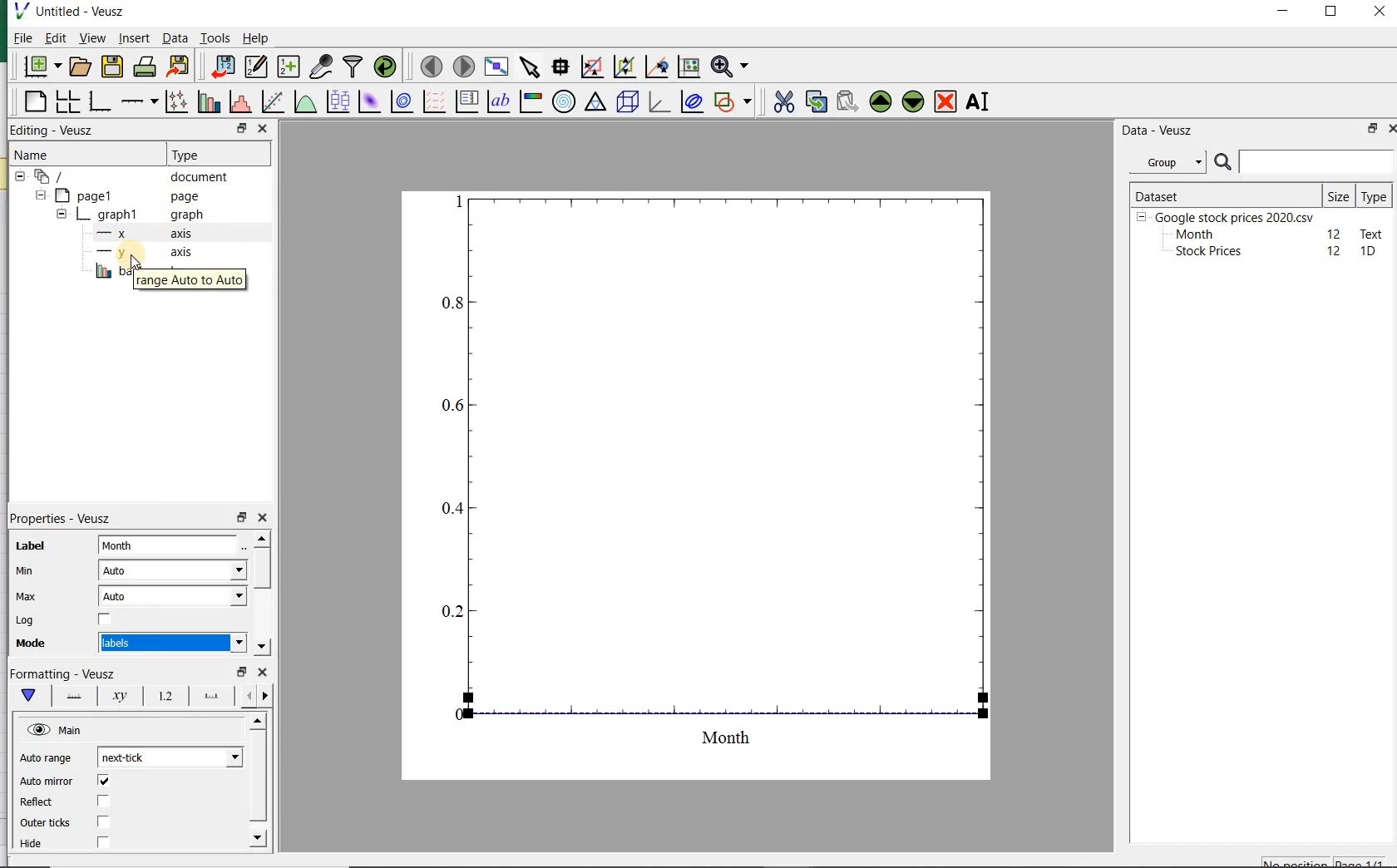 Image resolution: width=1397 pixels, height=868 pixels. What do you see at coordinates (975, 104) in the screenshot?
I see `renames the selected widget` at bounding box center [975, 104].